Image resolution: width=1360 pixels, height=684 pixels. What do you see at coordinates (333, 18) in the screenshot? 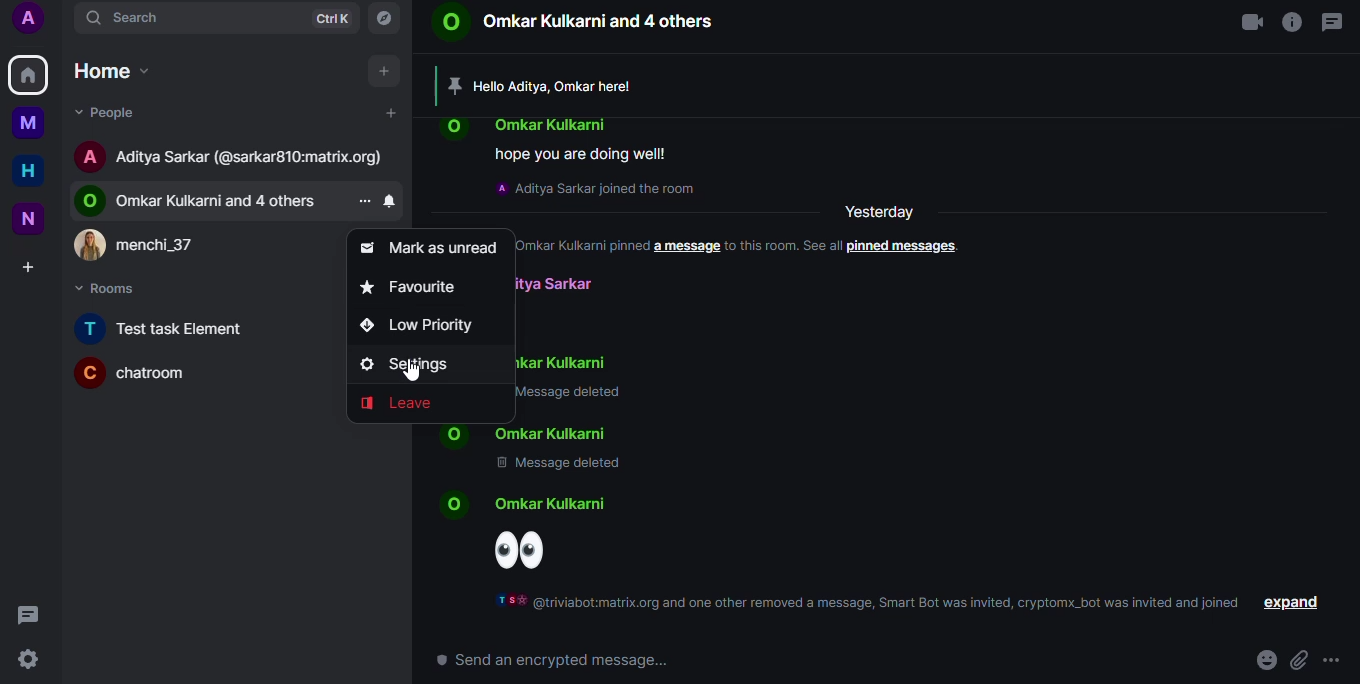
I see `ctrl k` at bounding box center [333, 18].